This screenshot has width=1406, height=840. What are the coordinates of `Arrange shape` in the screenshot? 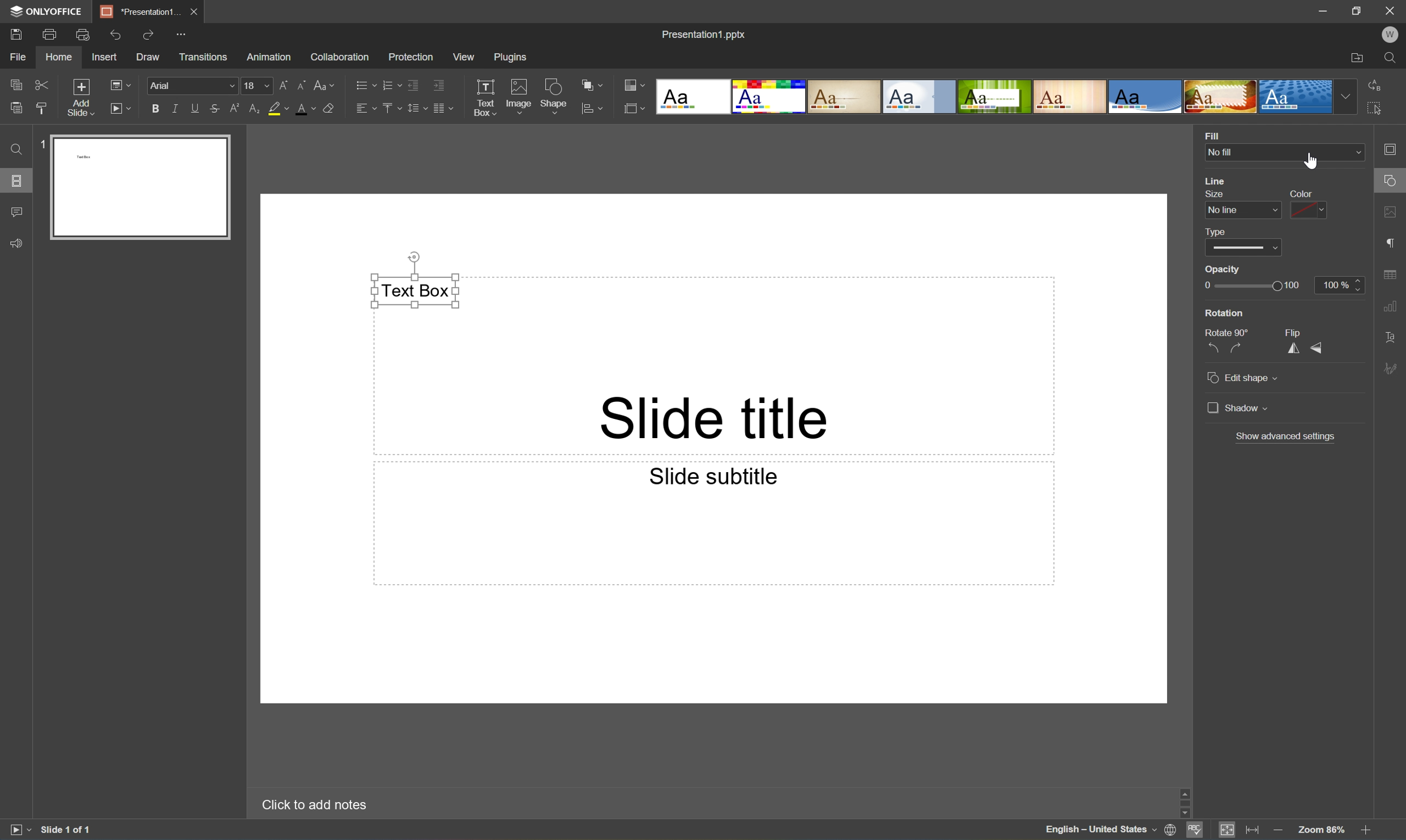 It's located at (593, 83).